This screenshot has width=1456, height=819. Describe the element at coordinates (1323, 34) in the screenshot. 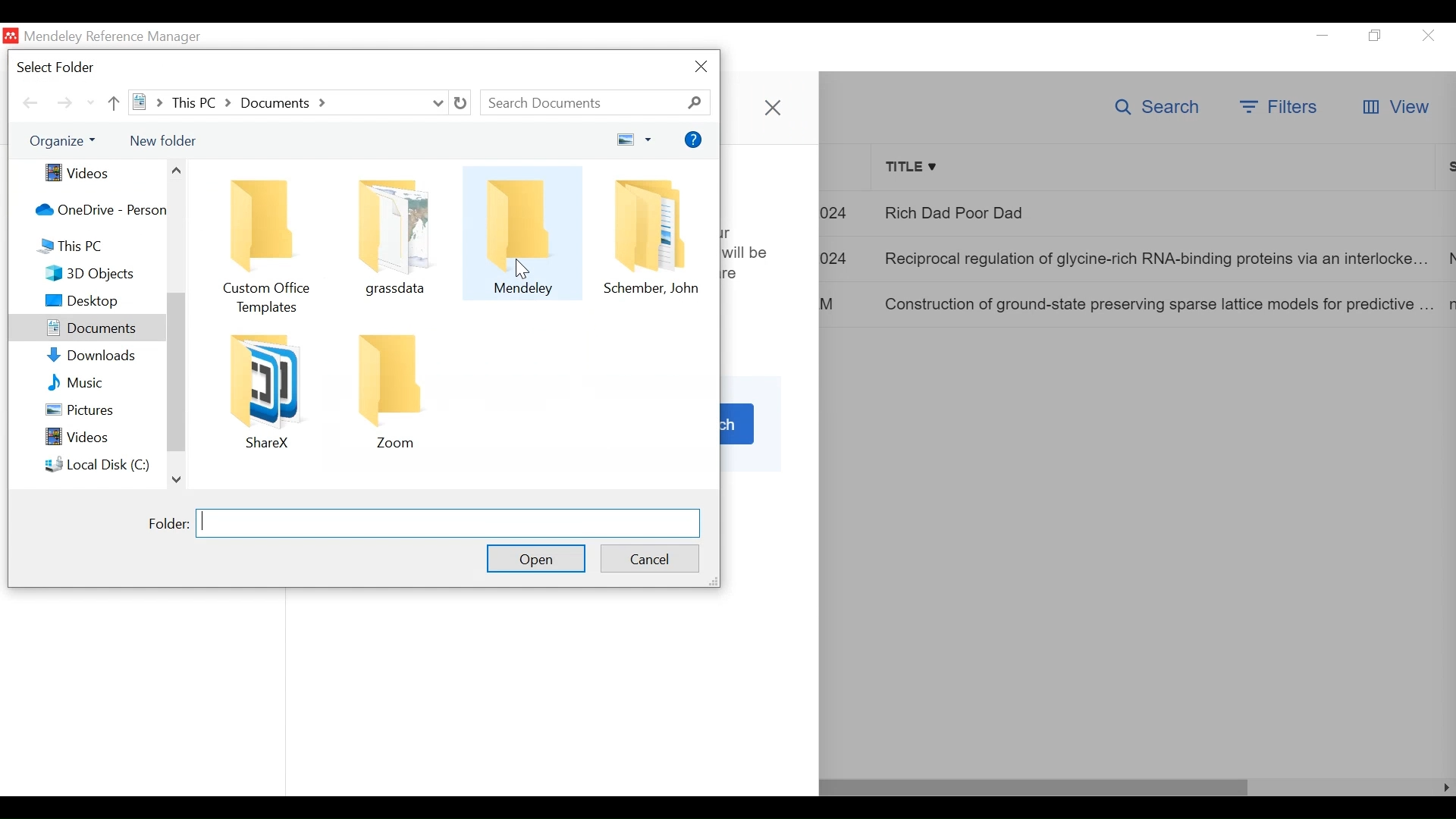

I see `minimize` at that location.